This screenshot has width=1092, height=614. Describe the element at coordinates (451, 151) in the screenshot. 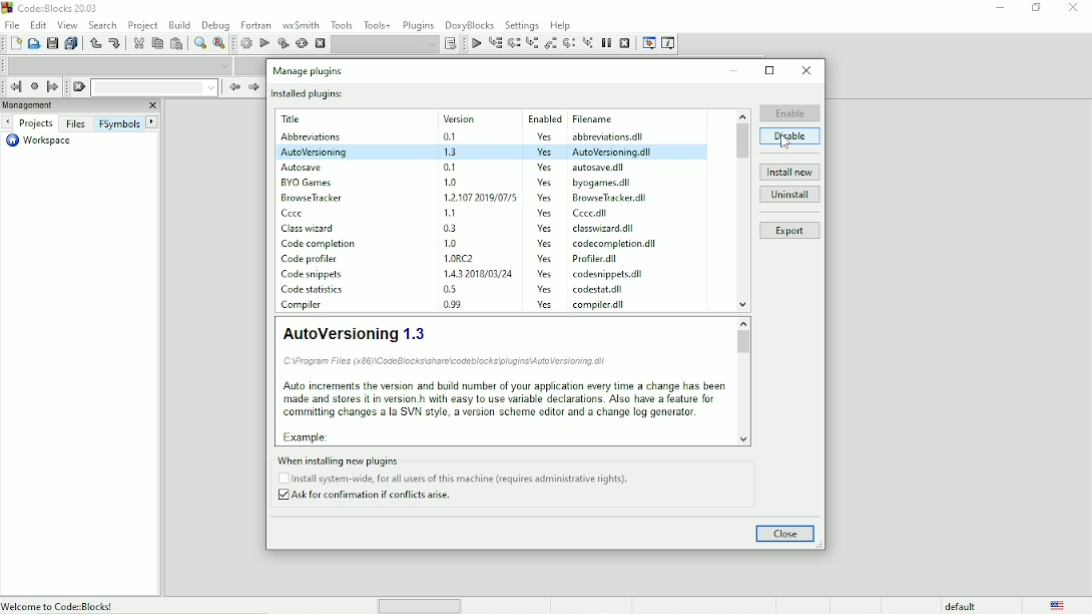

I see `1.3` at that location.